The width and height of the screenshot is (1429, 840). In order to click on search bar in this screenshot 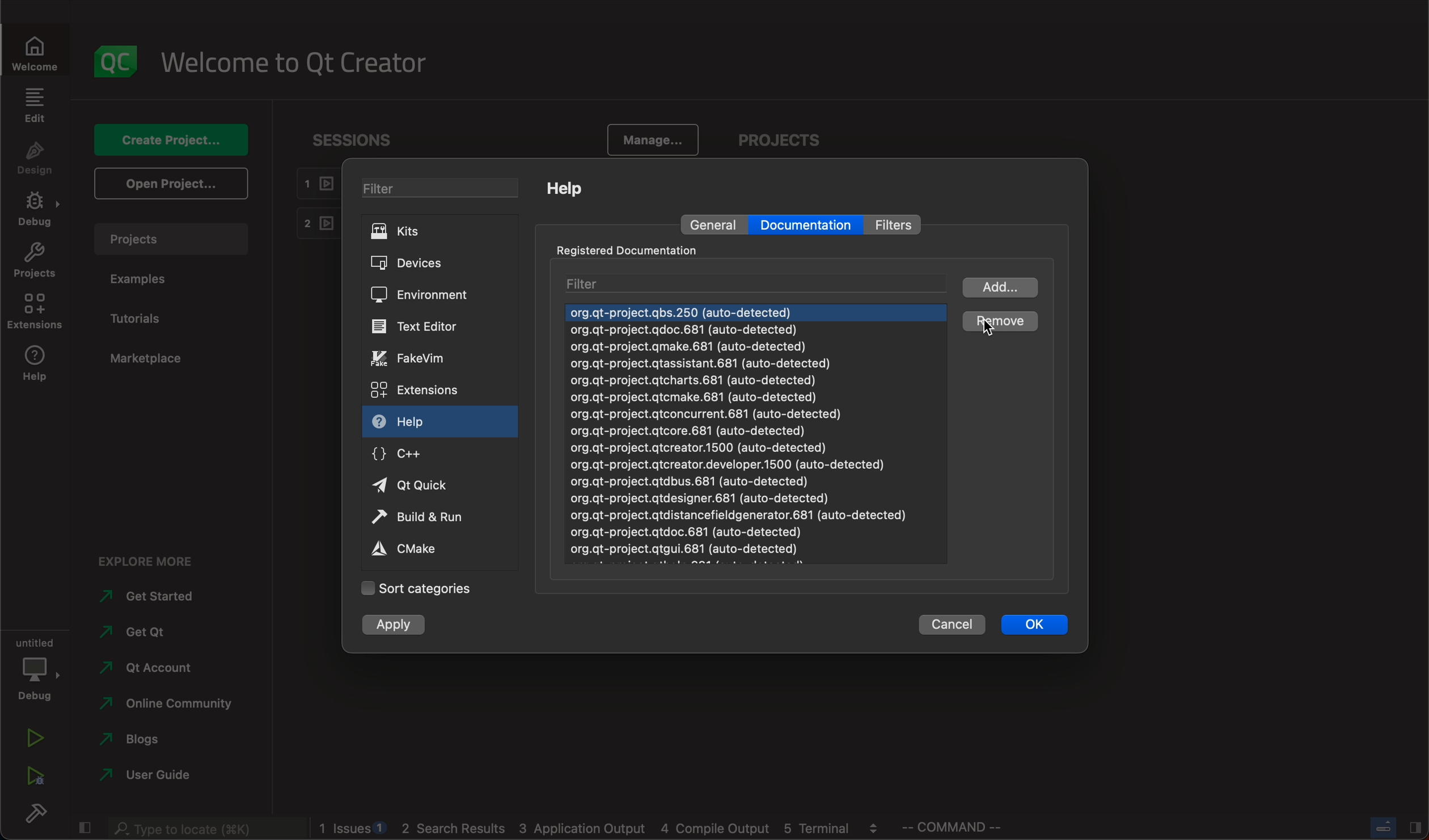, I will do `click(206, 829)`.